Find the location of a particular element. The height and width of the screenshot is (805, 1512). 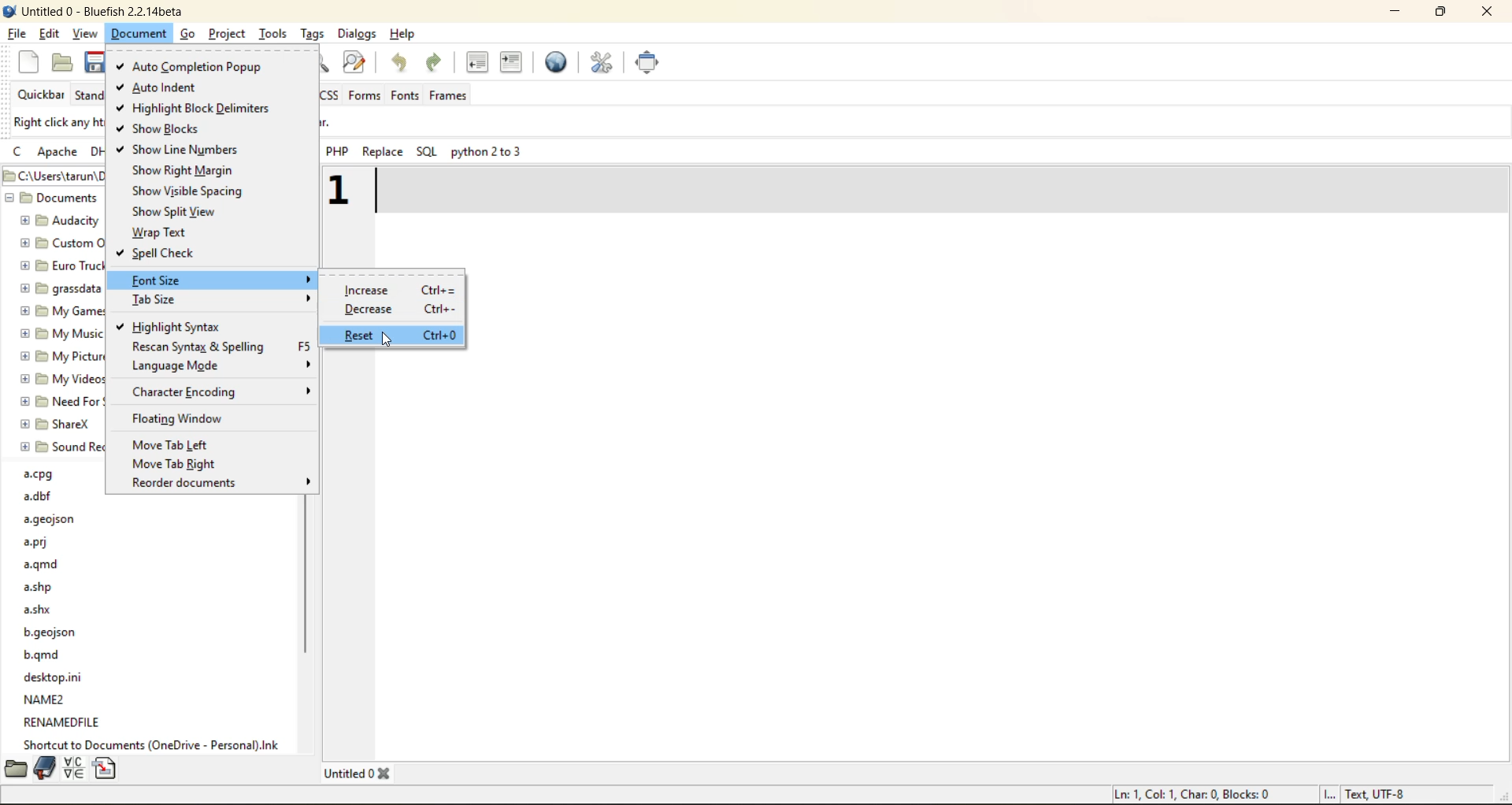

find and replace is located at coordinates (355, 59).